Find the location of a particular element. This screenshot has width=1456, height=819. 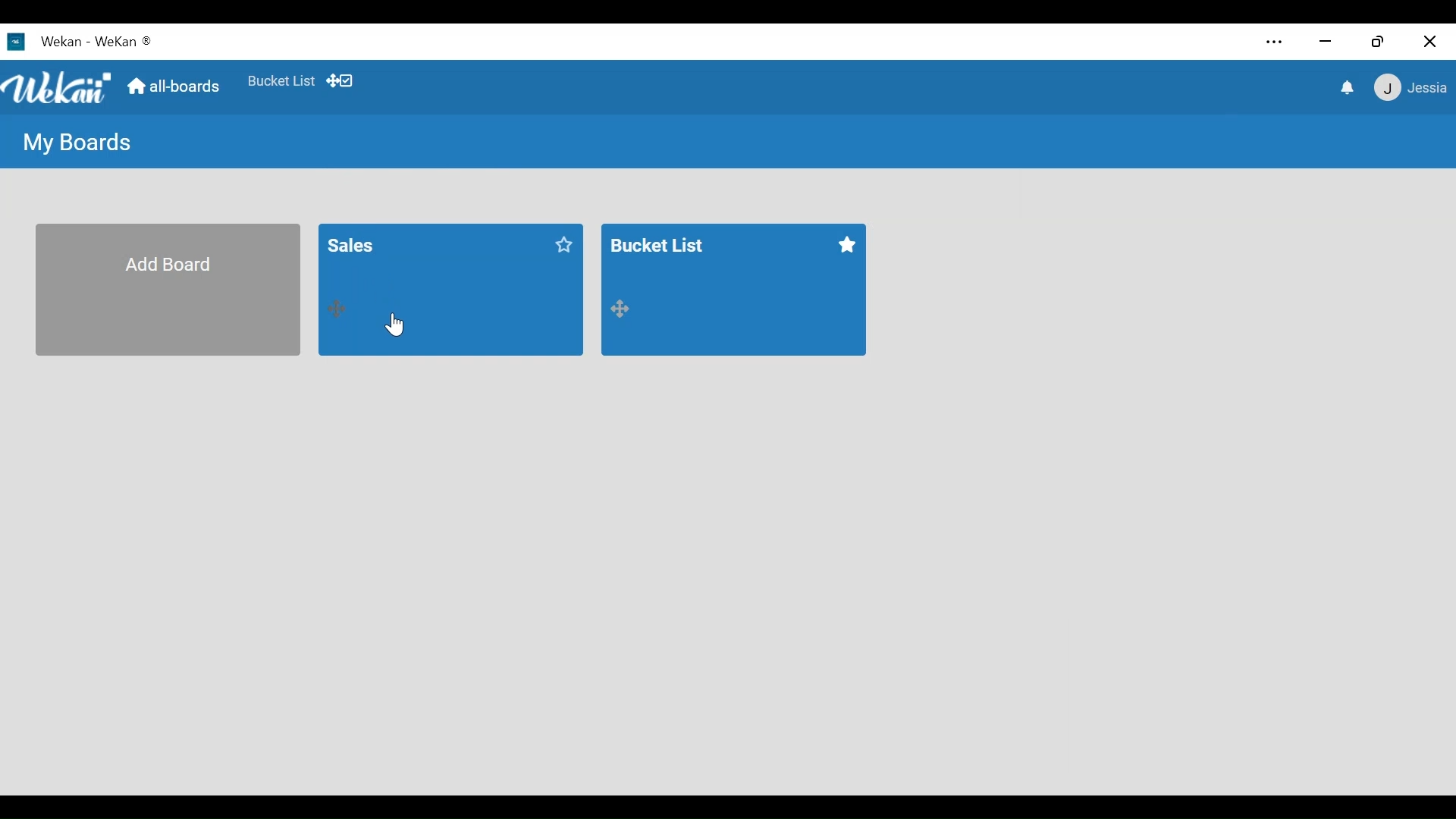

star is located at coordinates (849, 248).